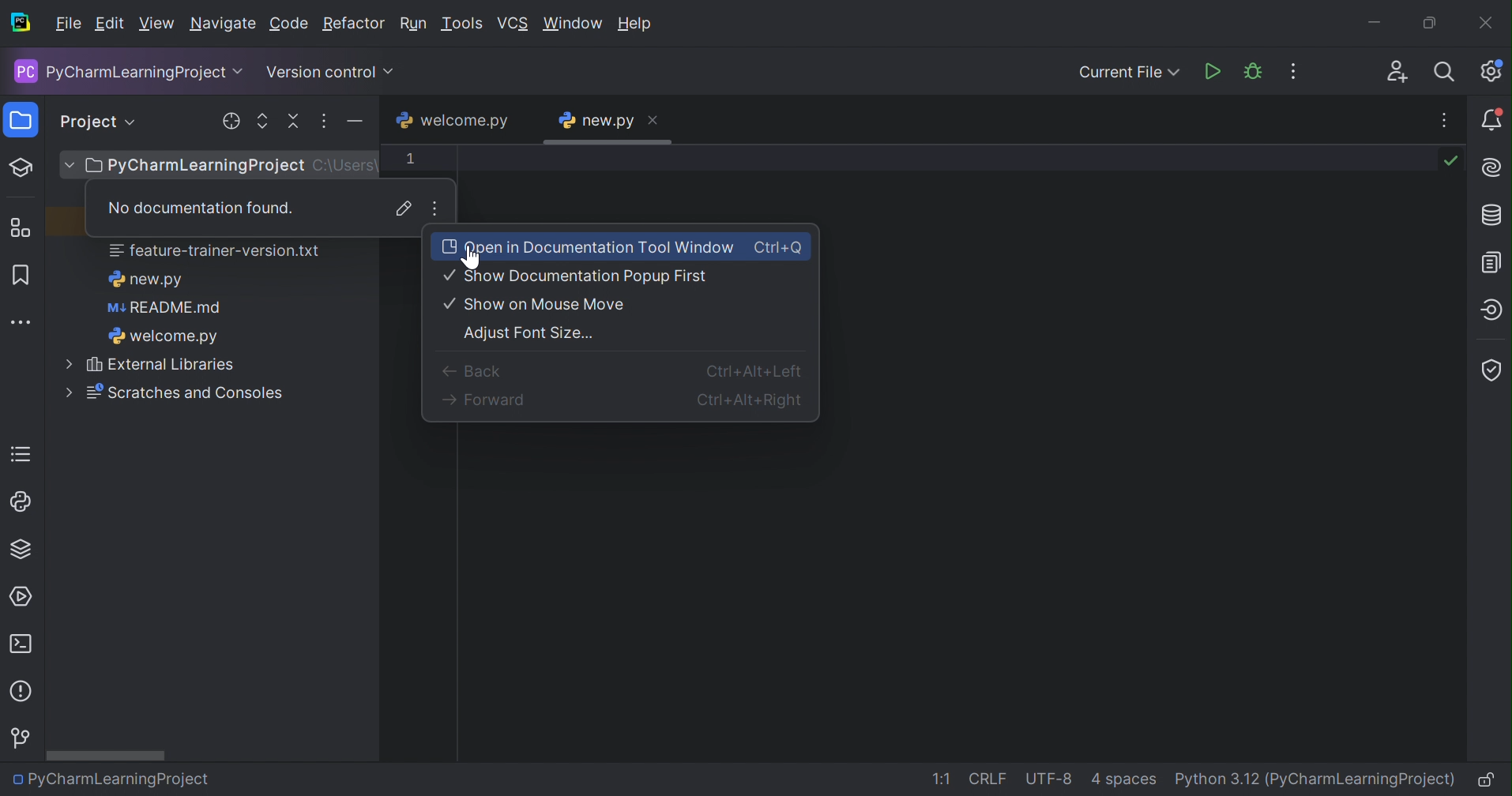 Image resolution: width=1512 pixels, height=796 pixels. Describe the element at coordinates (585, 248) in the screenshot. I see `Open in Documentation Tool Window` at that location.